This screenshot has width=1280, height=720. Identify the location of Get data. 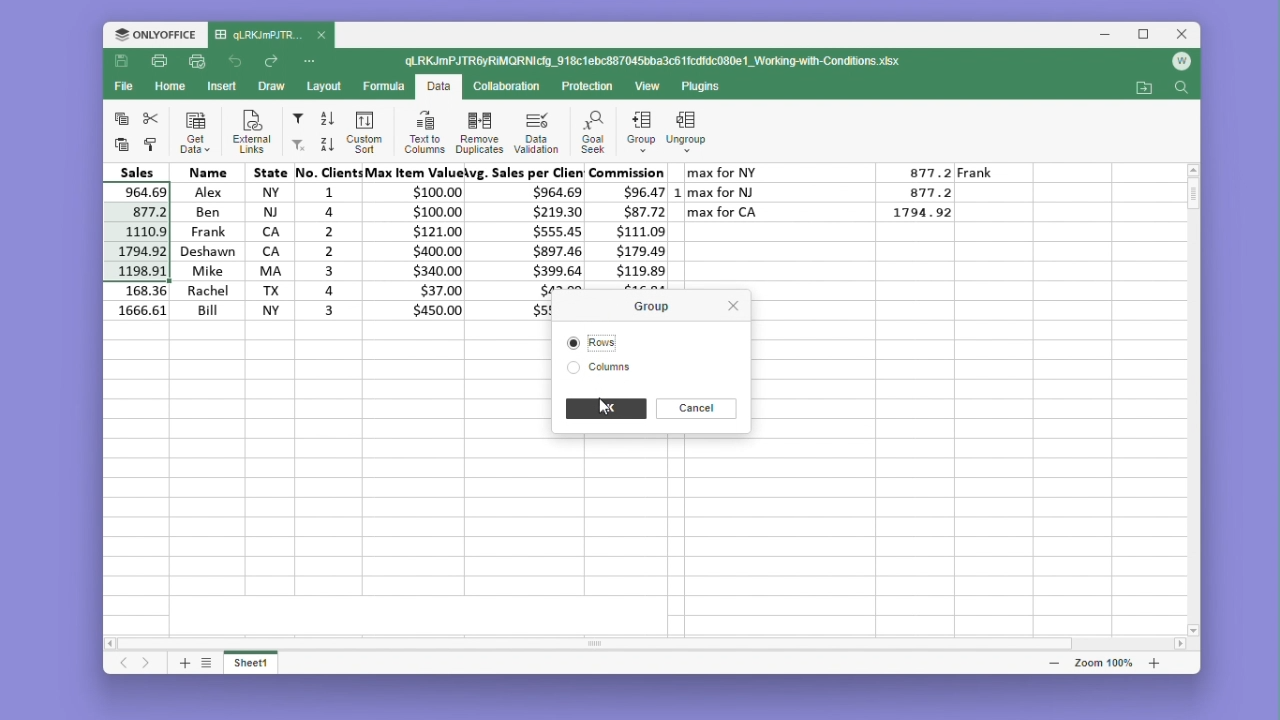
(196, 132).